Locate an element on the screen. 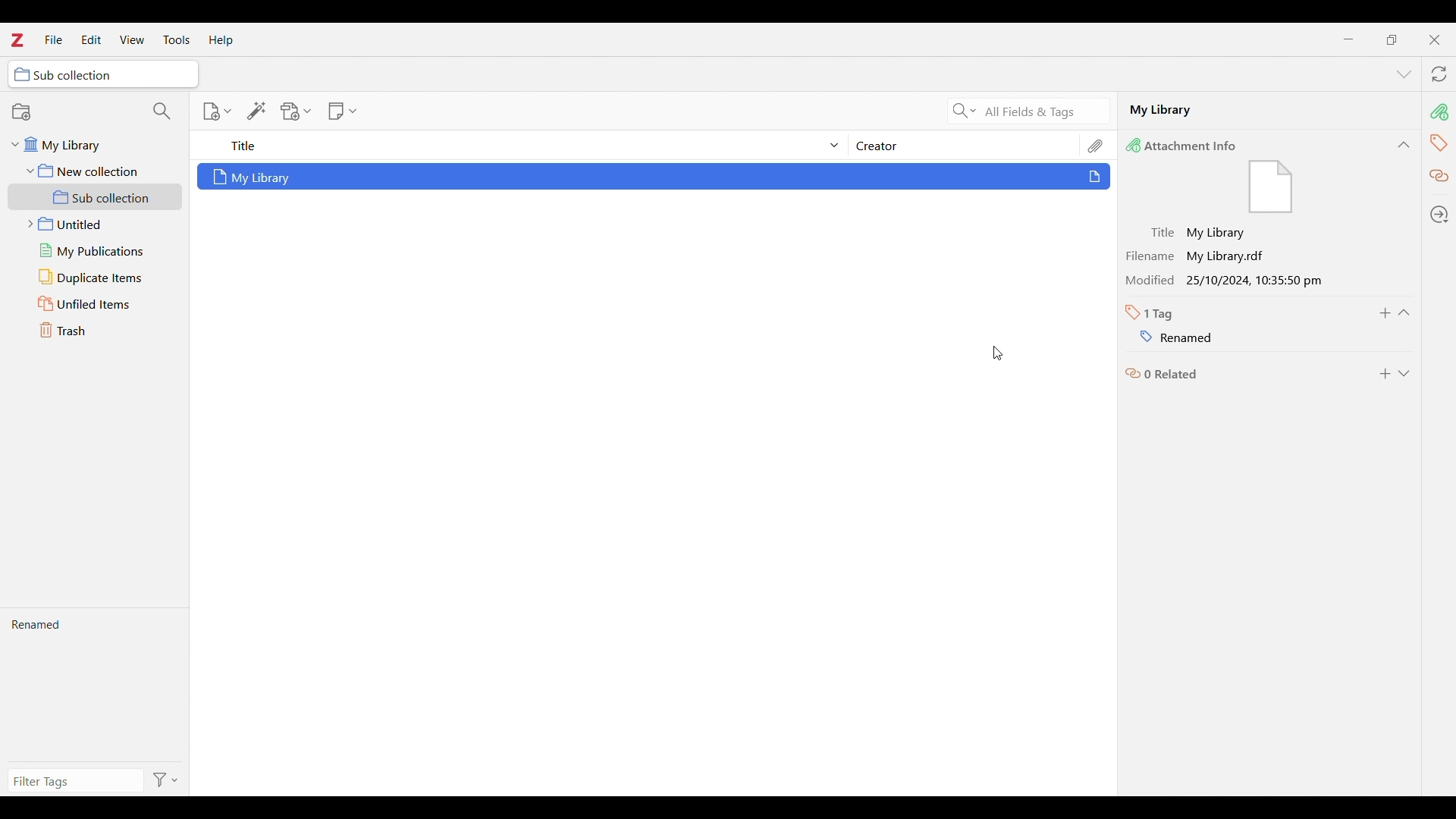 The width and height of the screenshot is (1456, 819). View menu is located at coordinates (133, 39).